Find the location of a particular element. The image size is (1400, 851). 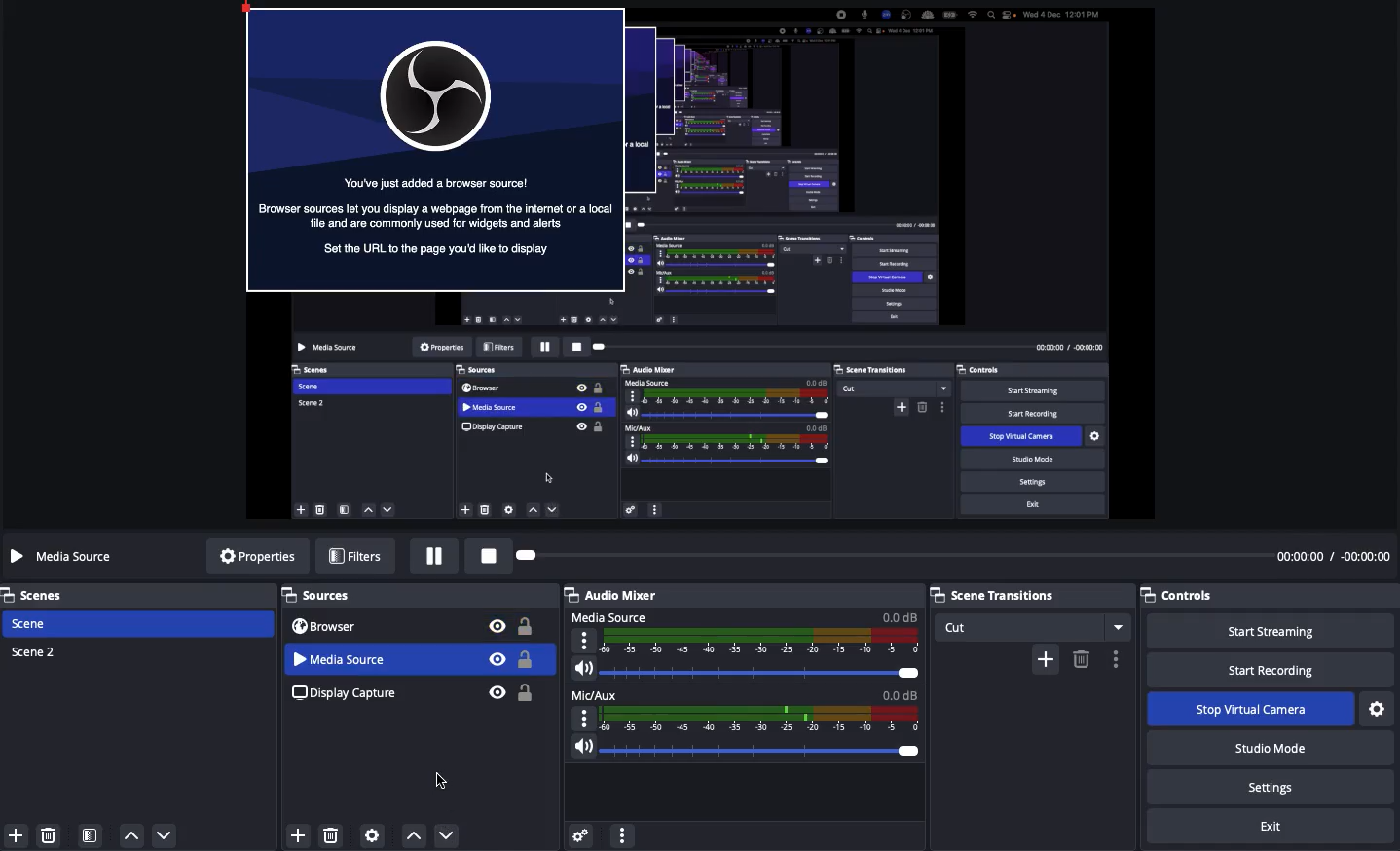

delete is located at coordinates (50, 835).